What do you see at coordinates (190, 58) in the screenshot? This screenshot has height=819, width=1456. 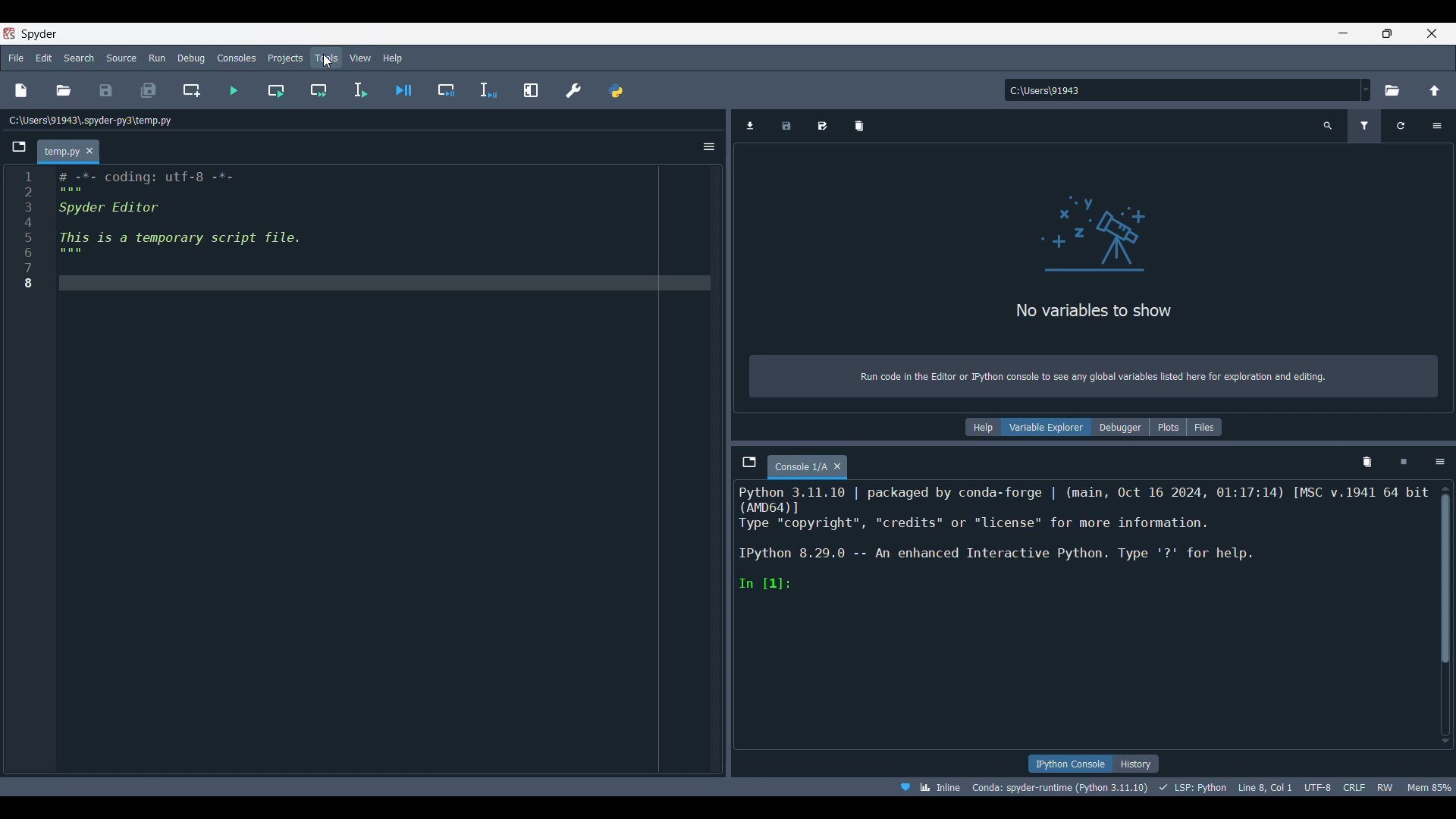 I see `Debug menu` at bounding box center [190, 58].